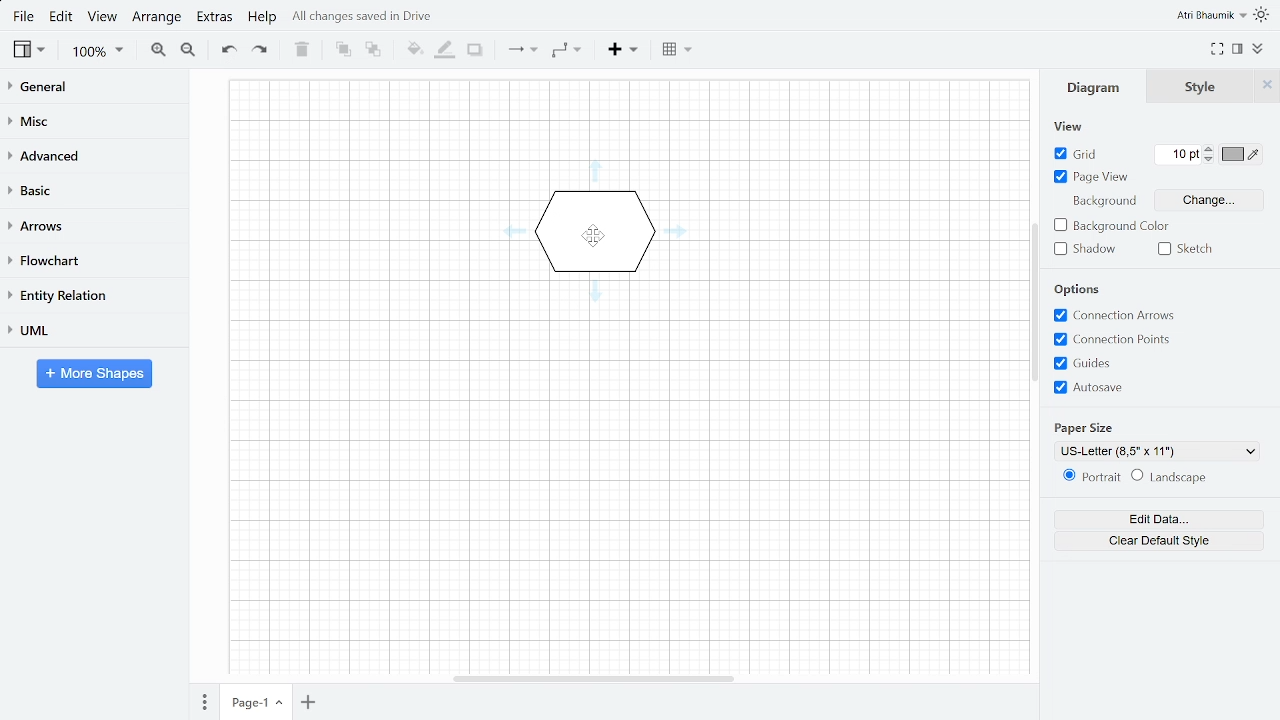  What do you see at coordinates (1212, 15) in the screenshot?
I see `Atri Bhaumik` at bounding box center [1212, 15].